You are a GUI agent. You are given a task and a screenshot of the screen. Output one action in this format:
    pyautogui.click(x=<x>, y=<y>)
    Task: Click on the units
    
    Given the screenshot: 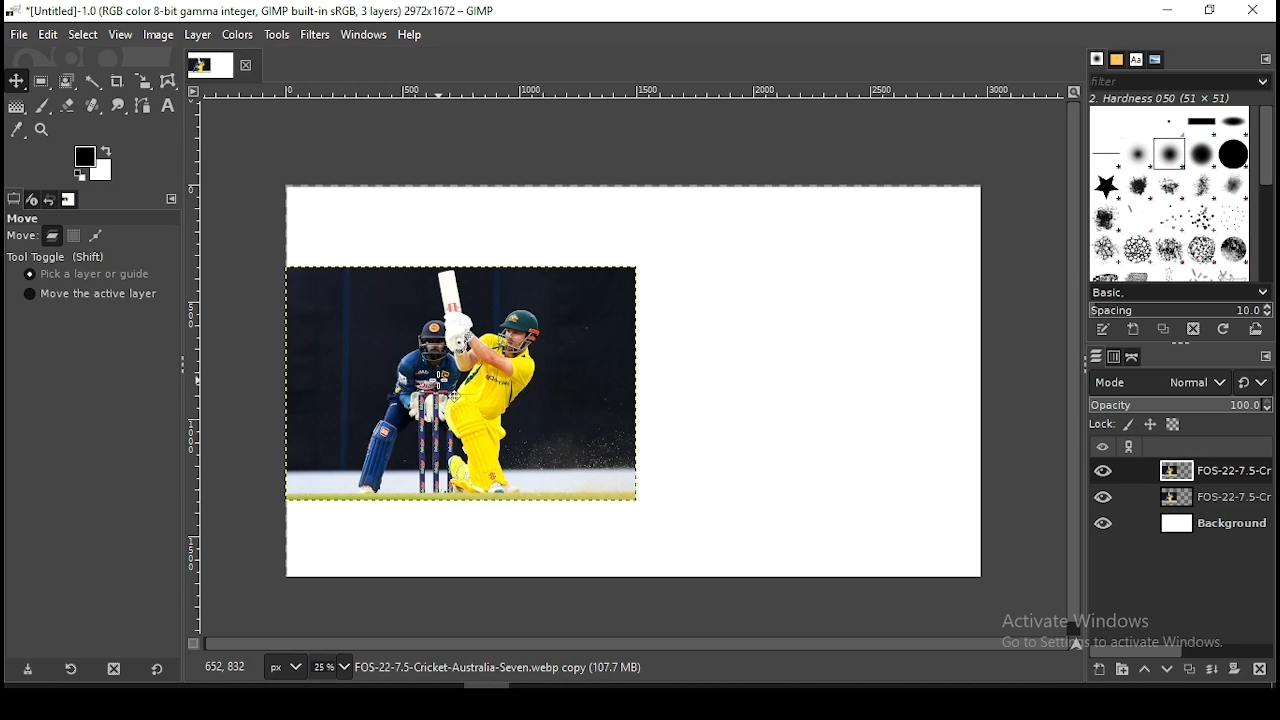 What is the action you would take?
    pyautogui.click(x=285, y=668)
    